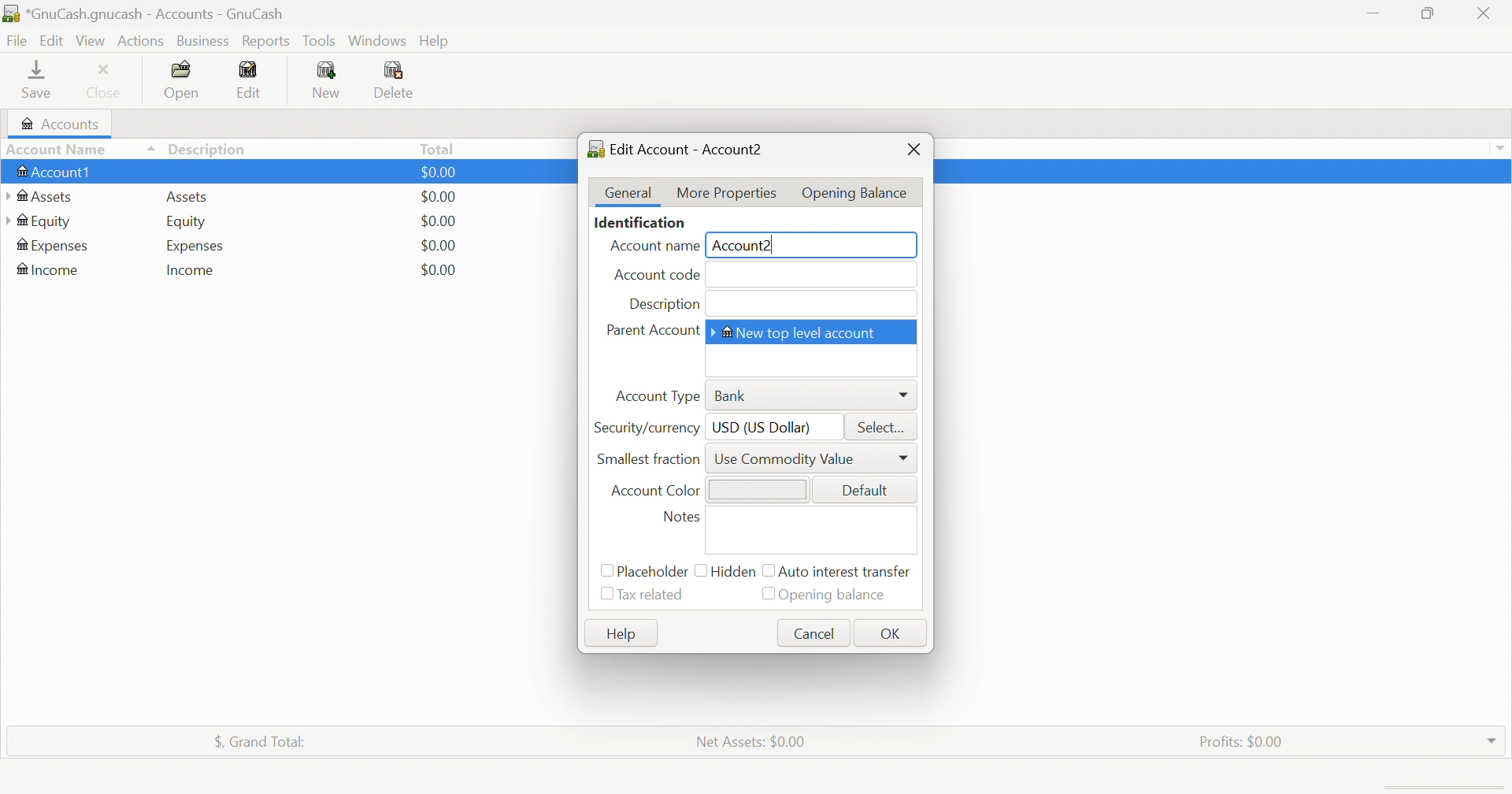 This screenshot has width=1512, height=794. I want to click on Actions, so click(140, 42).